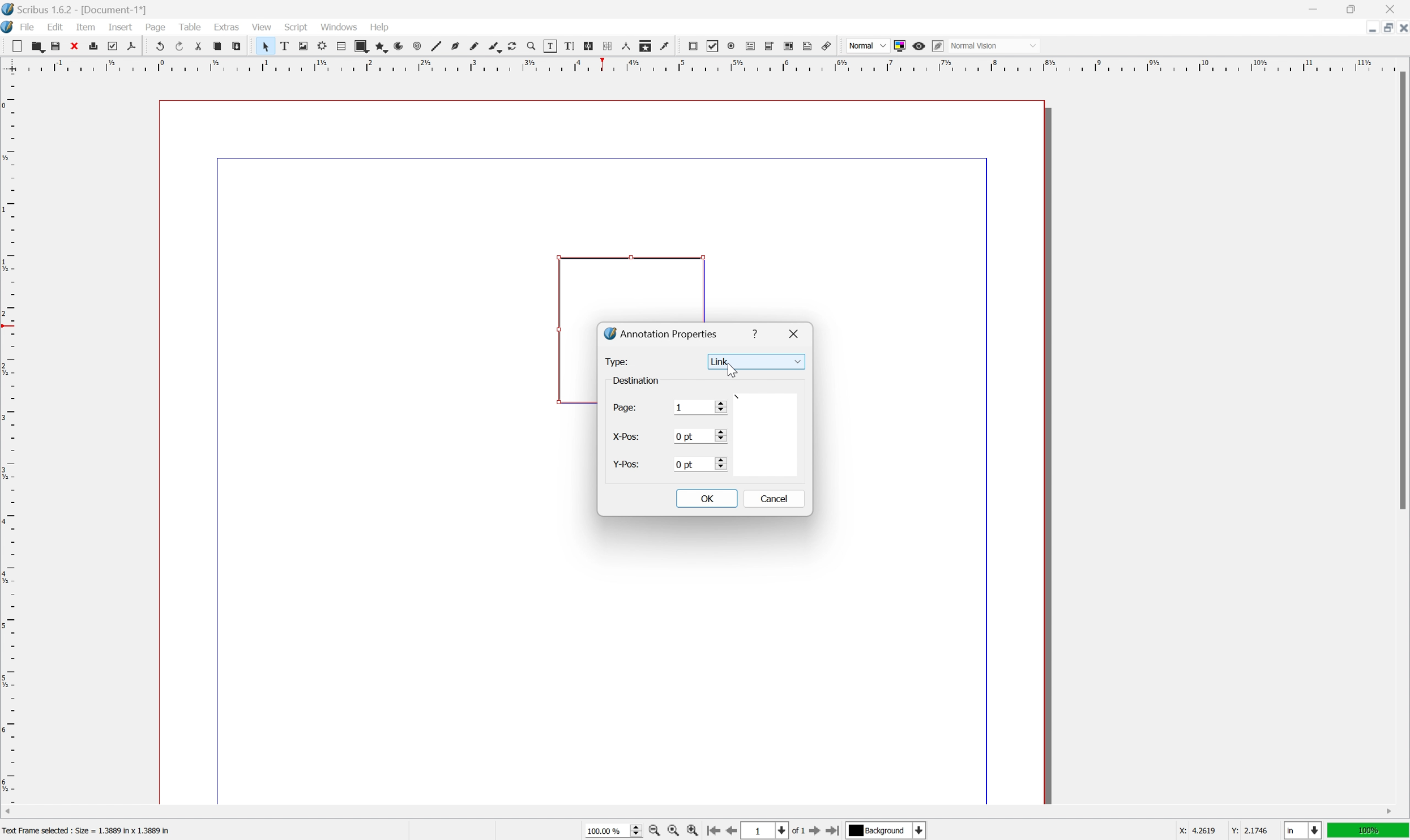 Image resolution: width=1410 pixels, height=840 pixels. What do you see at coordinates (303, 46) in the screenshot?
I see `image frame` at bounding box center [303, 46].